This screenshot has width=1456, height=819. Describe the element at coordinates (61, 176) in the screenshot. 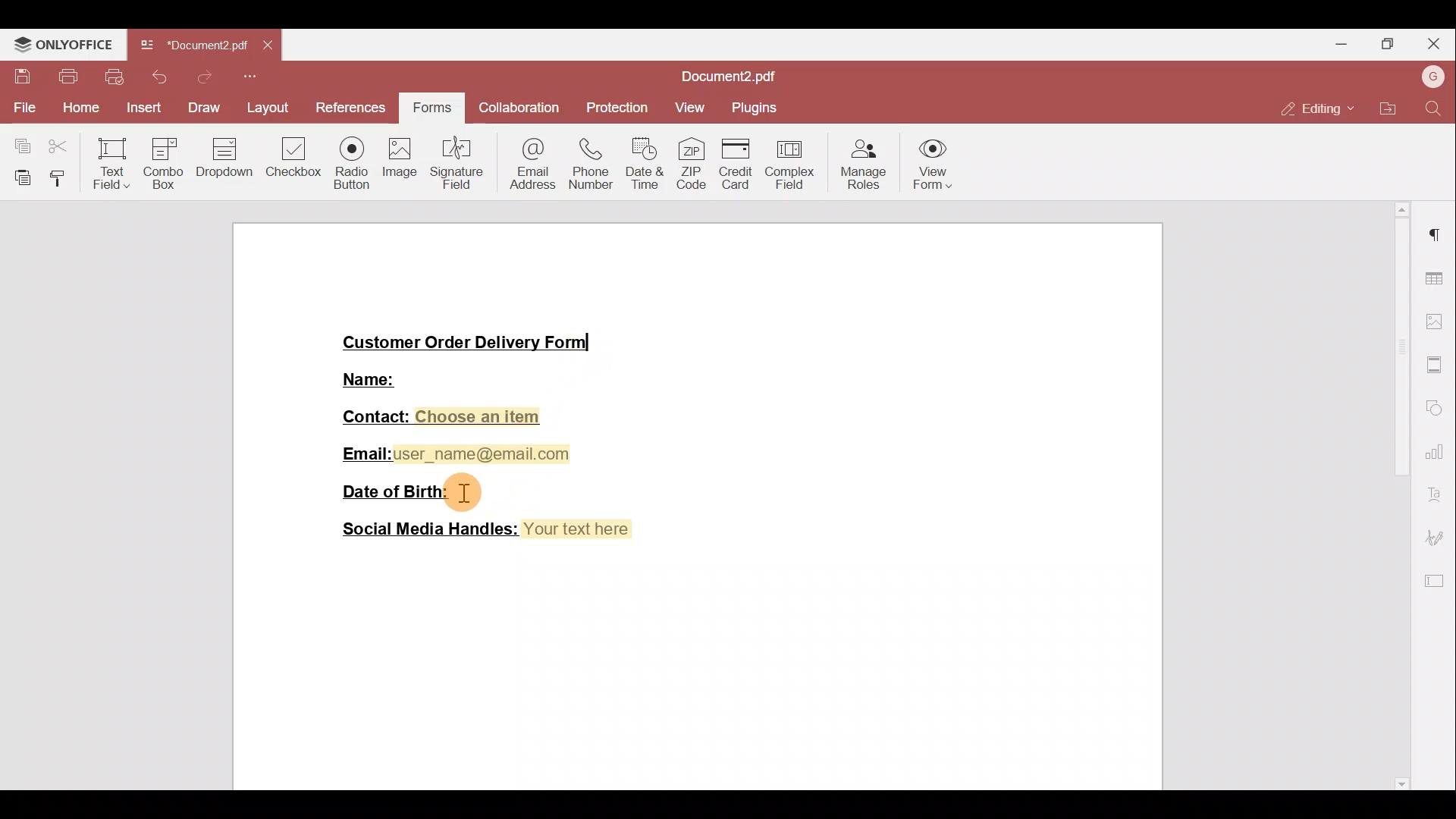

I see `Copy style` at that location.